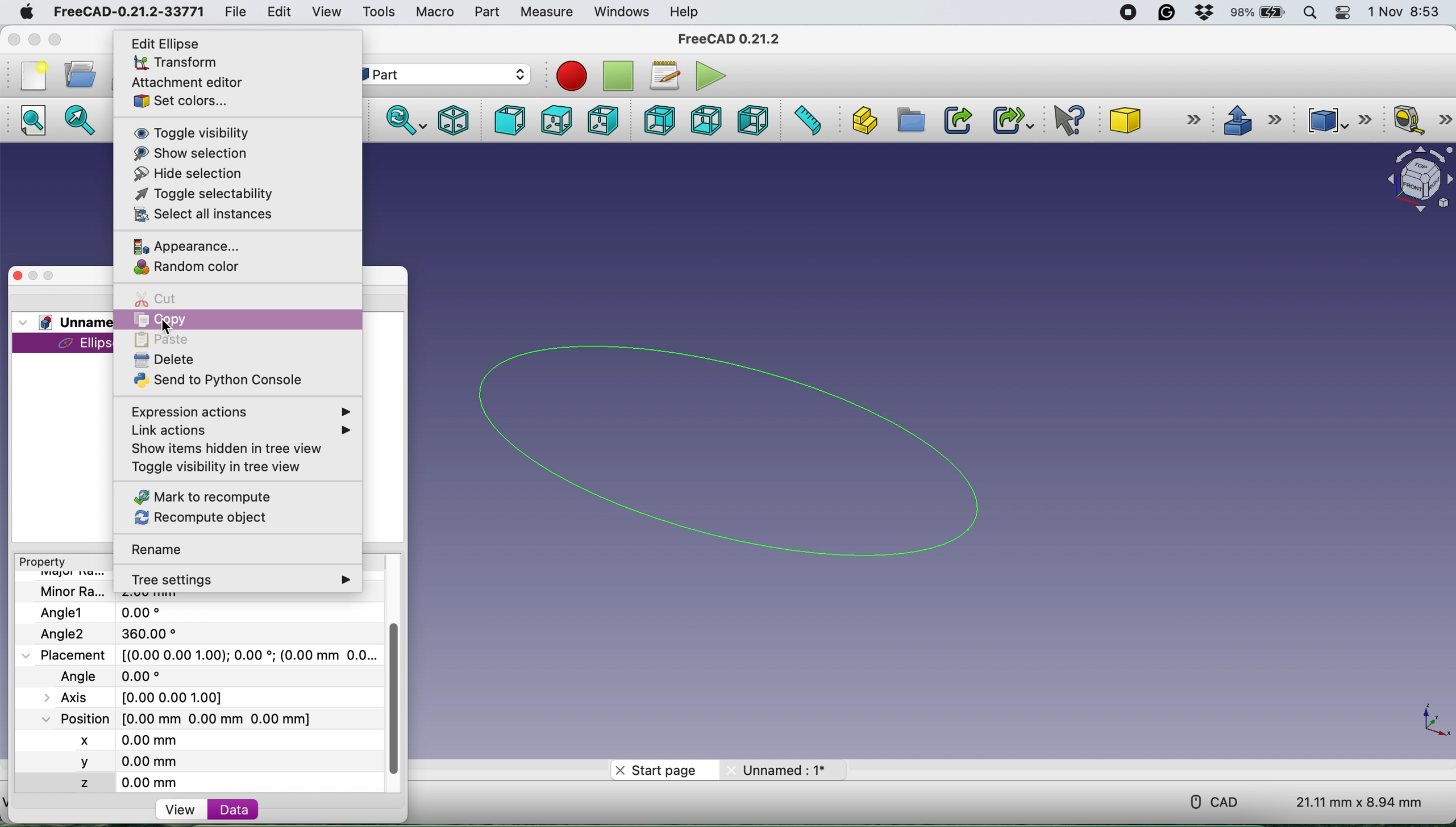 The height and width of the screenshot is (827, 1456). What do you see at coordinates (1405, 12) in the screenshot?
I see `date and time` at bounding box center [1405, 12].